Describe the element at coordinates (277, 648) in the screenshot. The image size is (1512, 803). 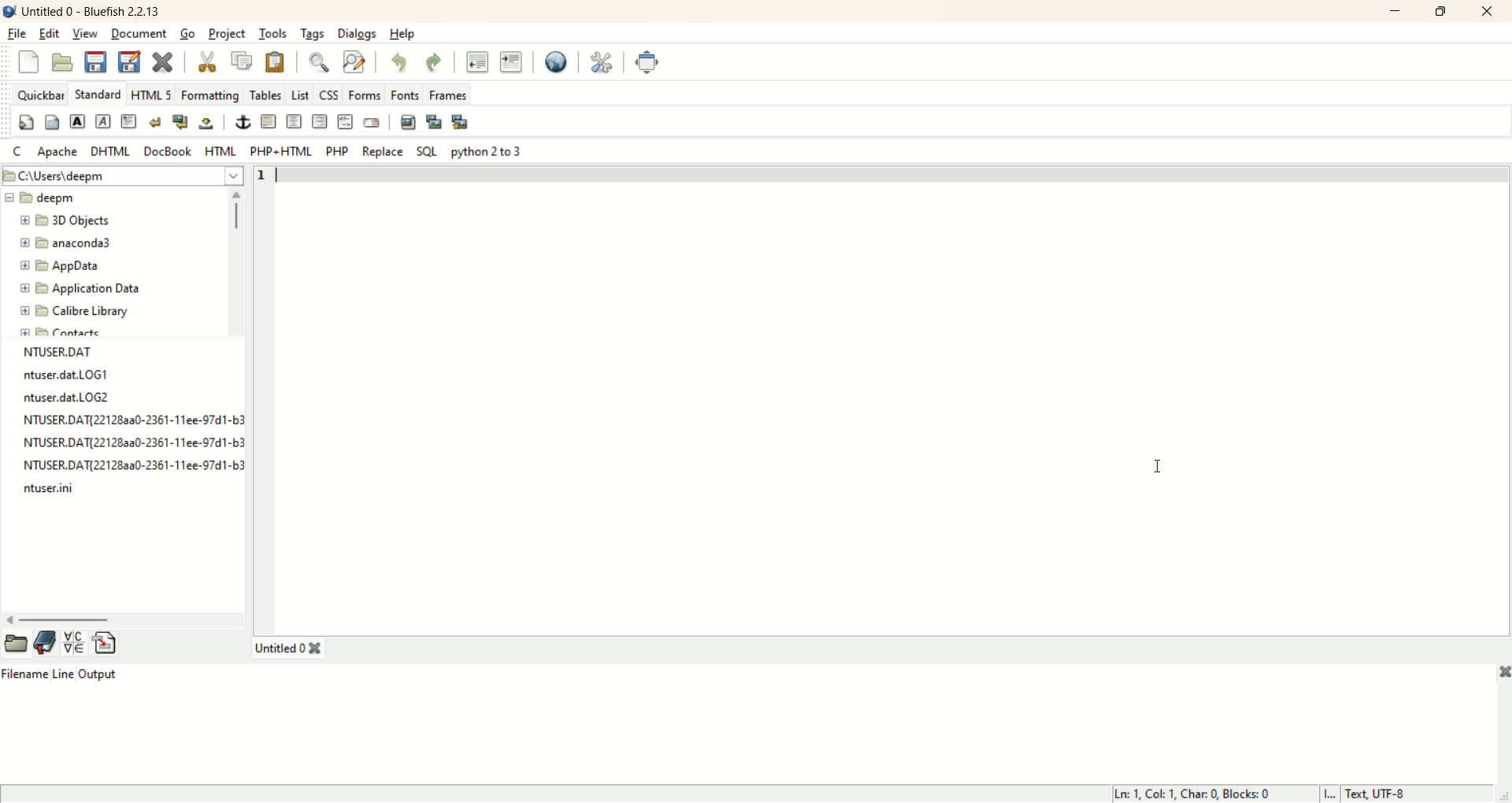
I see `untitled` at that location.